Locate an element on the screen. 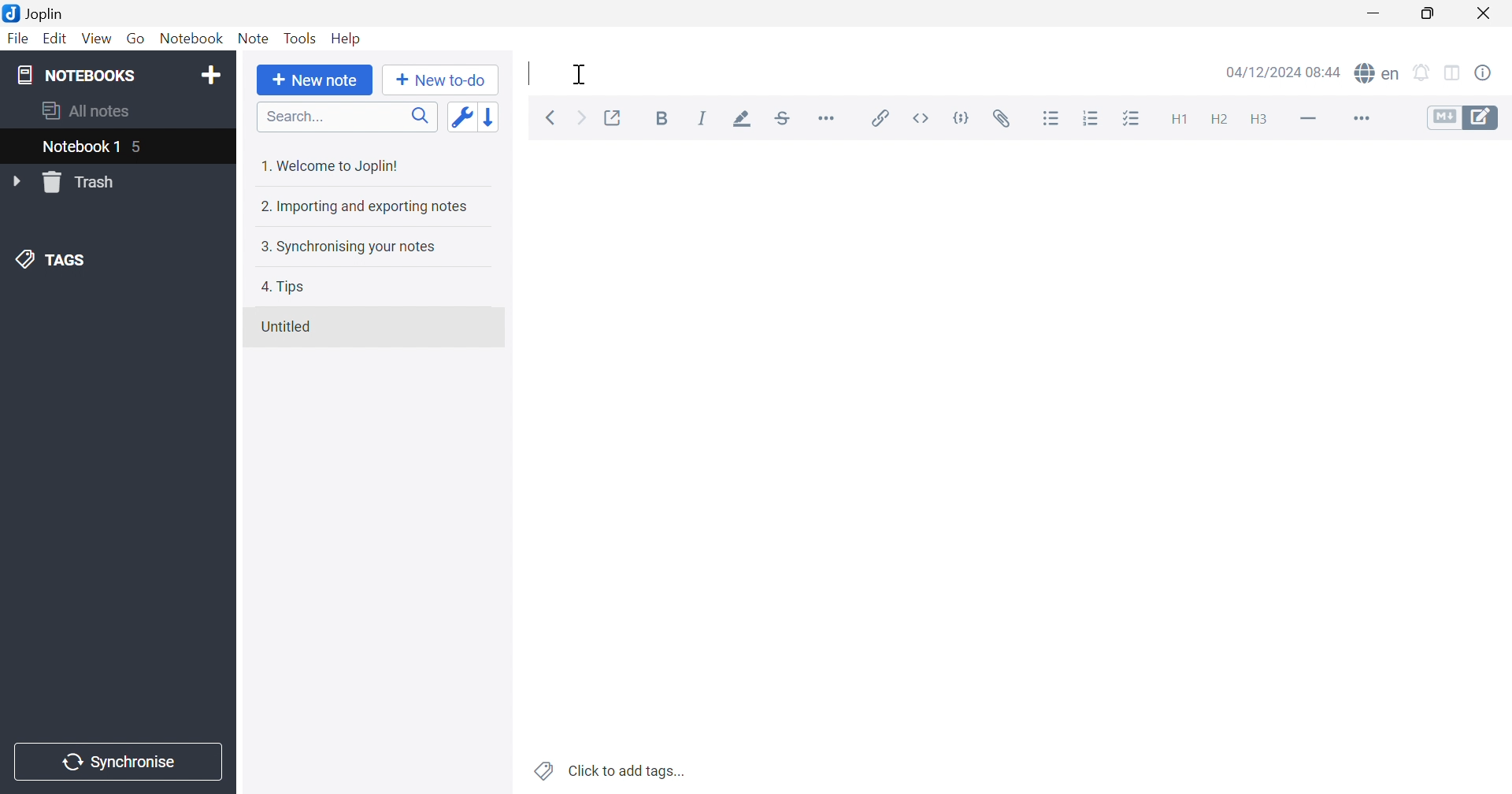  5 is located at coordinates (140, 149).